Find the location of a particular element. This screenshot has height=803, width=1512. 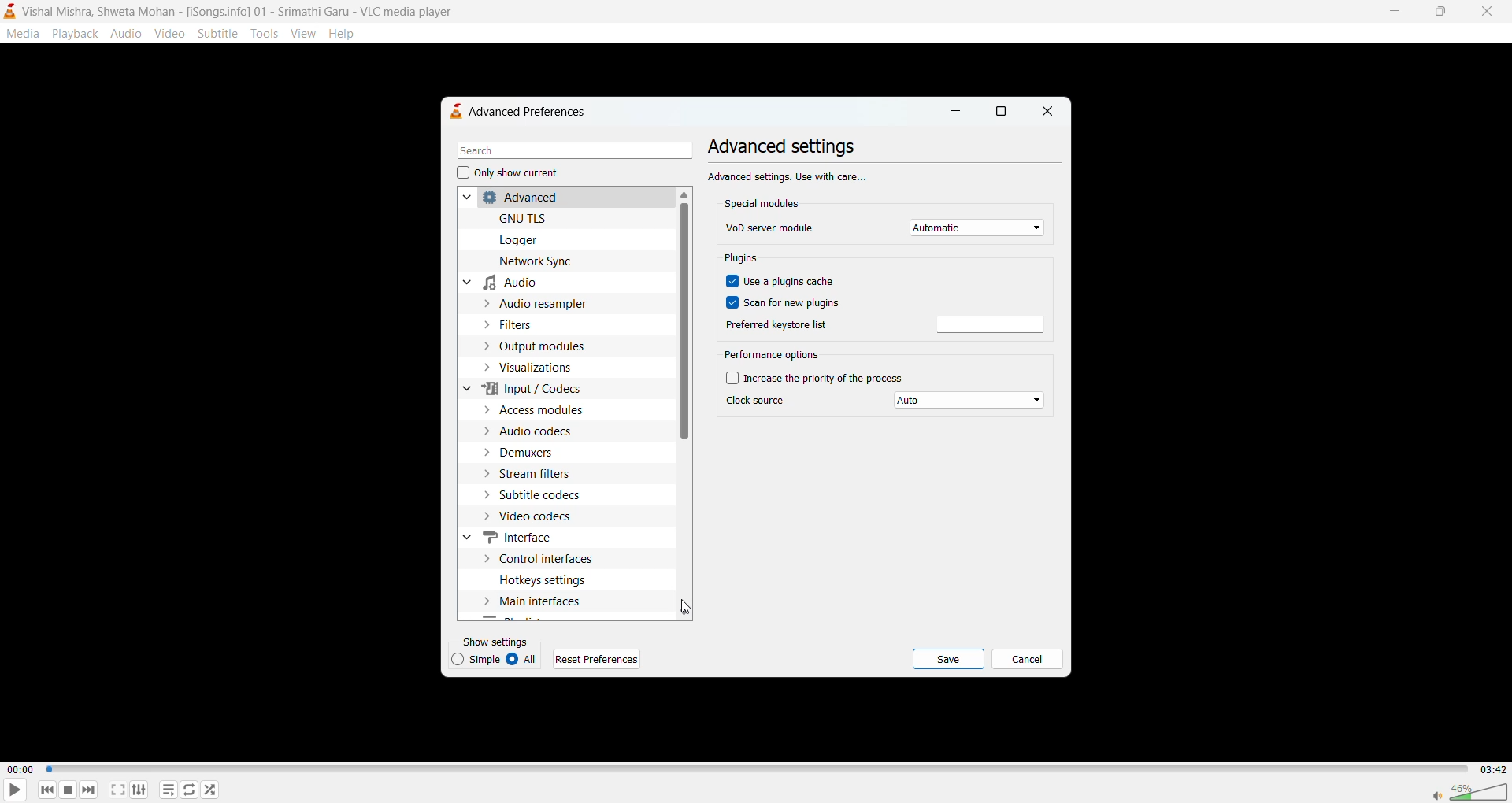

view is located at coordinates (302, 31).